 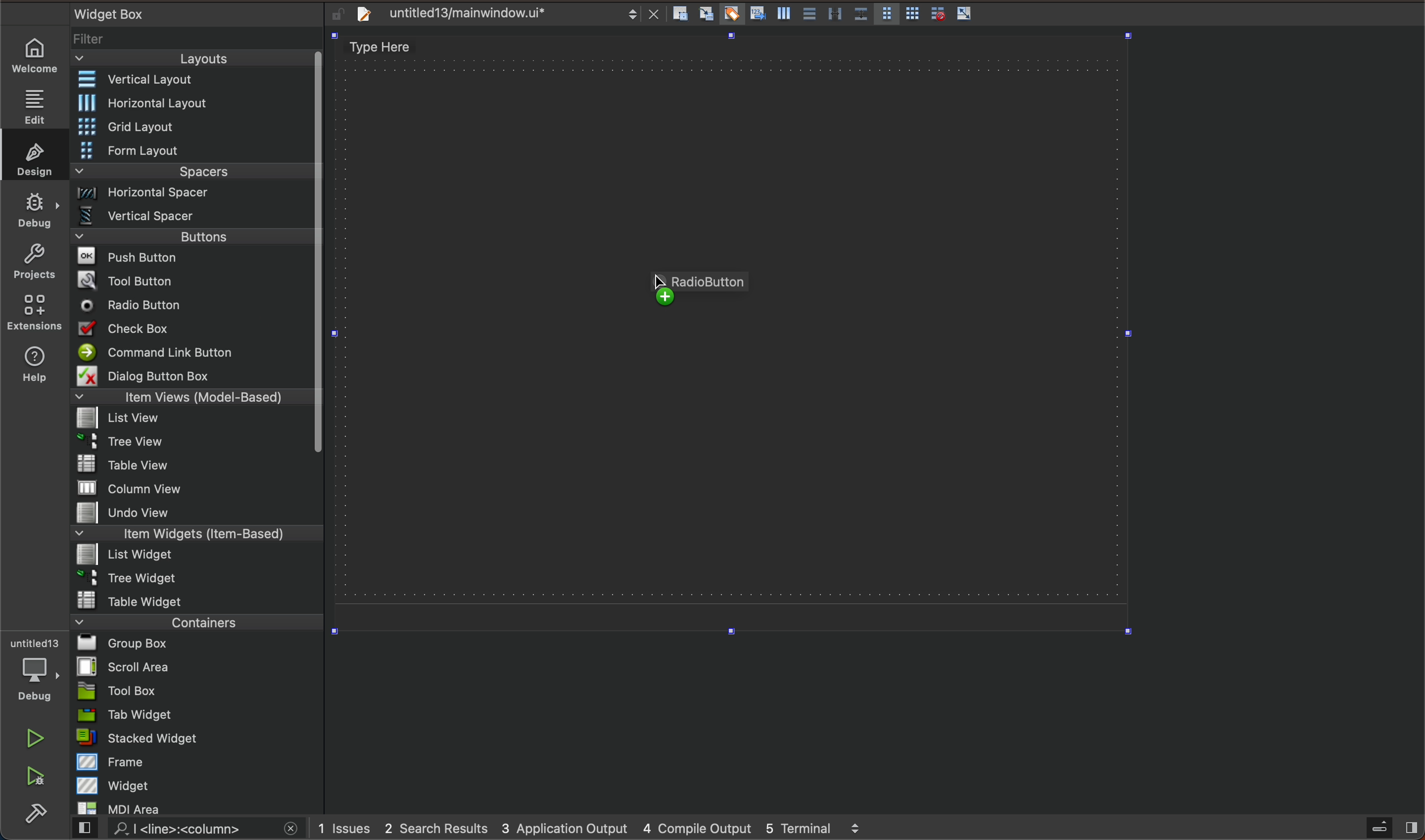 I want to click on , so click(x=782, y=16).